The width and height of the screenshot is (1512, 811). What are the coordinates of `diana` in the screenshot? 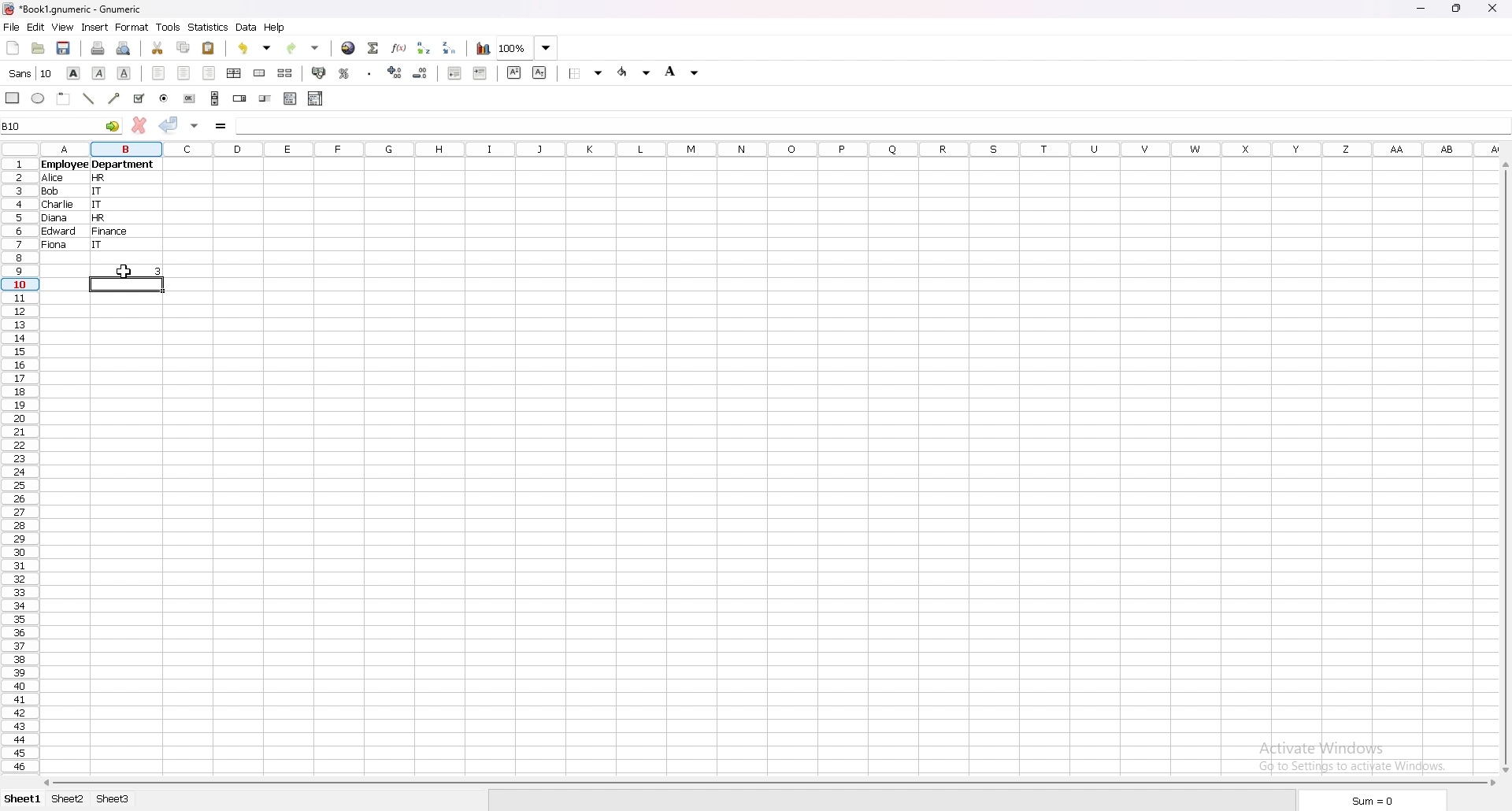 It's located at (56, 219).